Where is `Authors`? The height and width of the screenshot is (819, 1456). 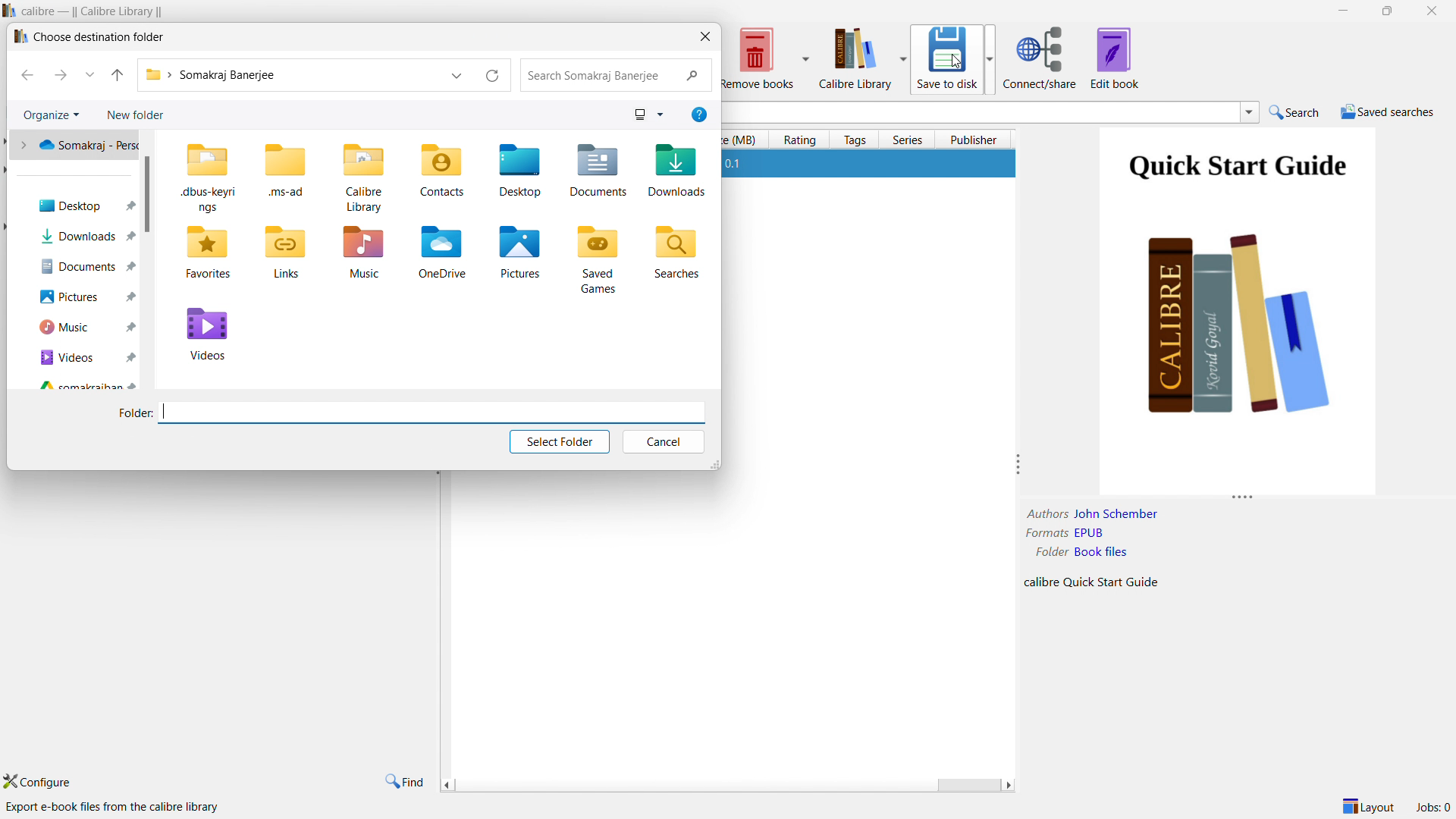 Authors is located at coordinates (1046, 514).